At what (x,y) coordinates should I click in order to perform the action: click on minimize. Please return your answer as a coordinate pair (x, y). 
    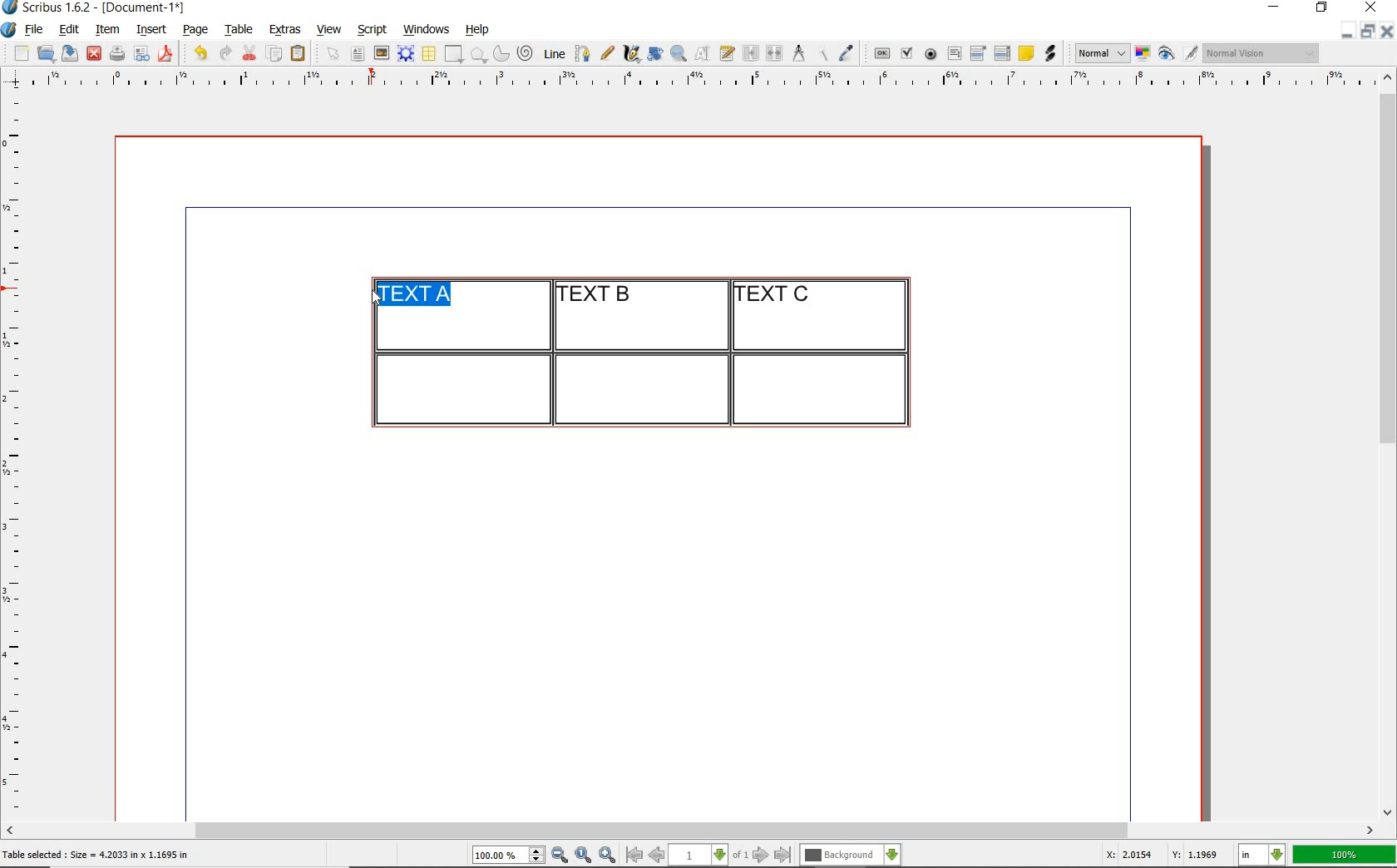
    Looking at the image, I should click on (1348, 30).